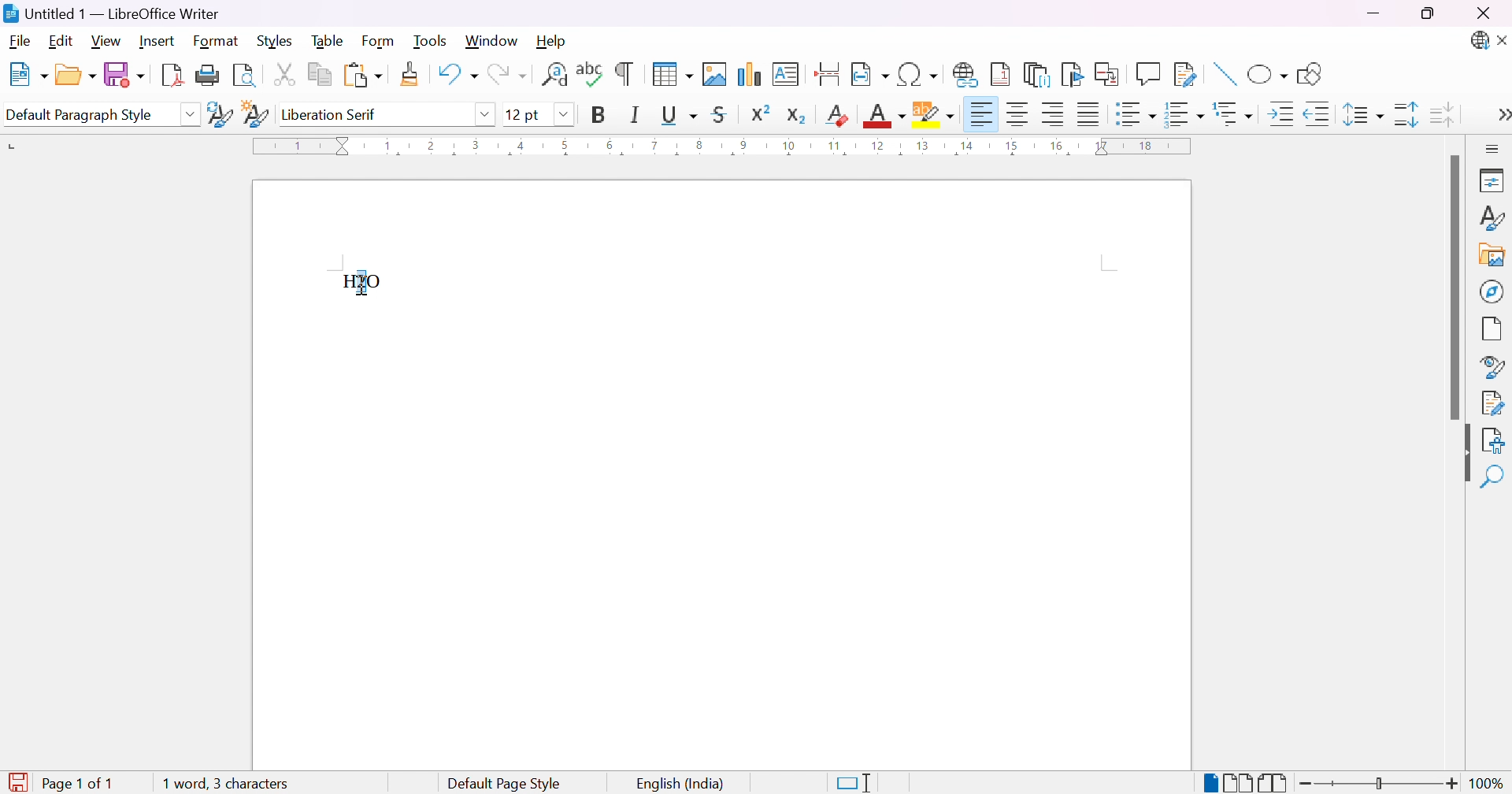 Image resolution: width=1512 pixels, height=794 pixels. Describe the element at coordinates (1492, 478) in the screenshot. I see `Find` at that location.